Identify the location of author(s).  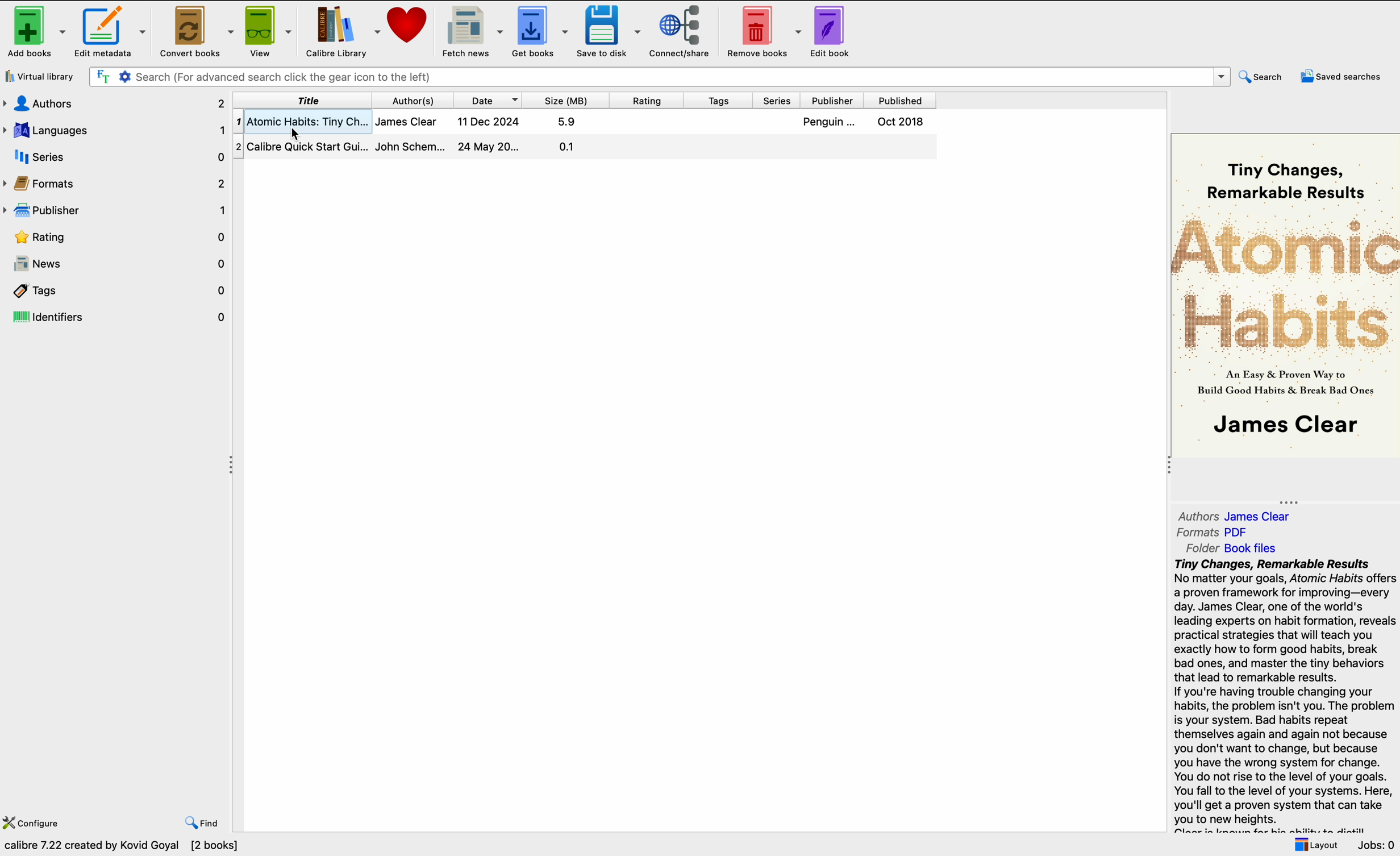
(414, 100).